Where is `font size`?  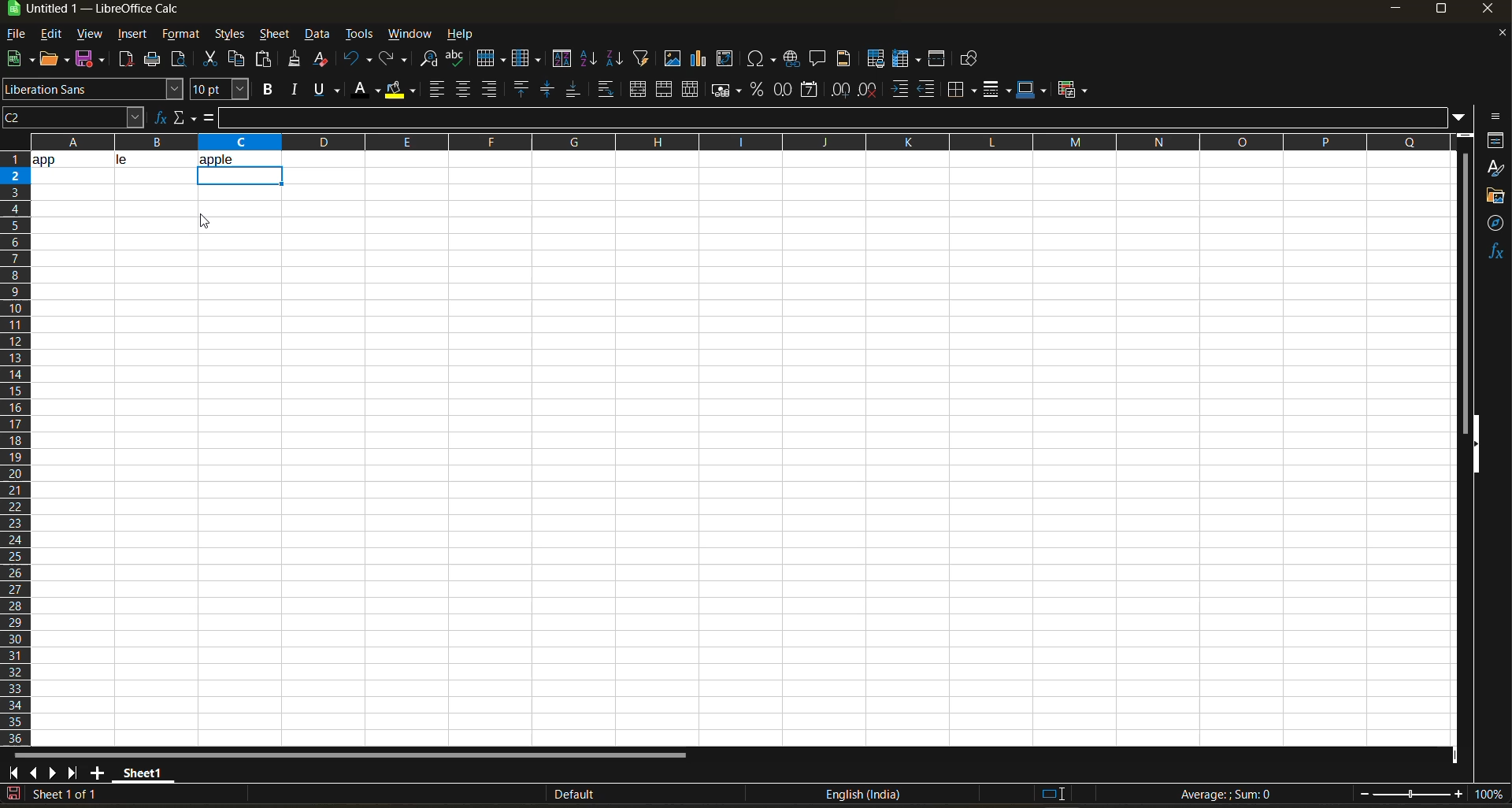 font size is located at coordinates (223, 91).